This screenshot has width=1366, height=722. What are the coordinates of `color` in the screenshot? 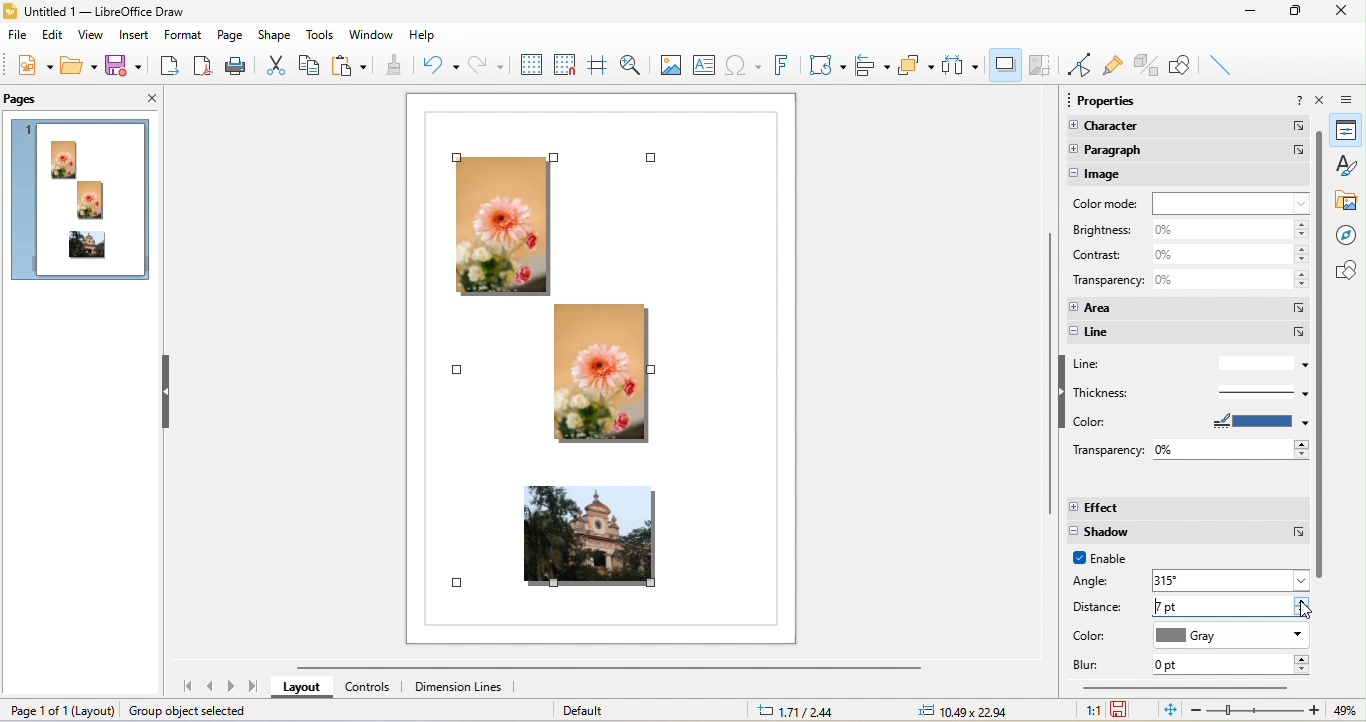 It's located at (1190, 422).